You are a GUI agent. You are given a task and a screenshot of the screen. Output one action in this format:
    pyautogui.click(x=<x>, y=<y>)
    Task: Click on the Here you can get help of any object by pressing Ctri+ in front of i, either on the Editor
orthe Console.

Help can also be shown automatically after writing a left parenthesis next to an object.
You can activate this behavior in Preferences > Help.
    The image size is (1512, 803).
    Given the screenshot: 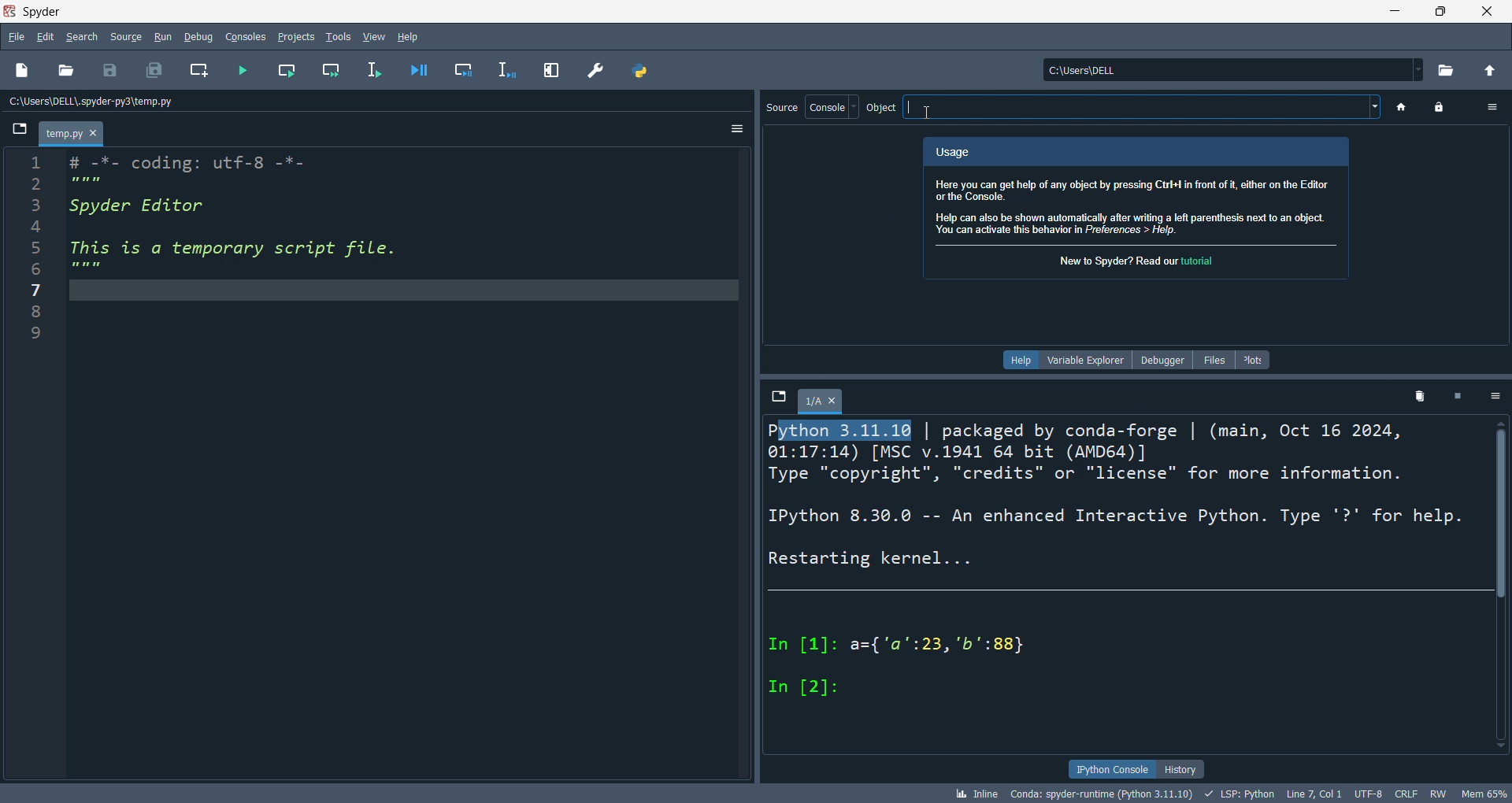 What is the action you would take?
    pyautogui.click(x=1136, y=205)
    